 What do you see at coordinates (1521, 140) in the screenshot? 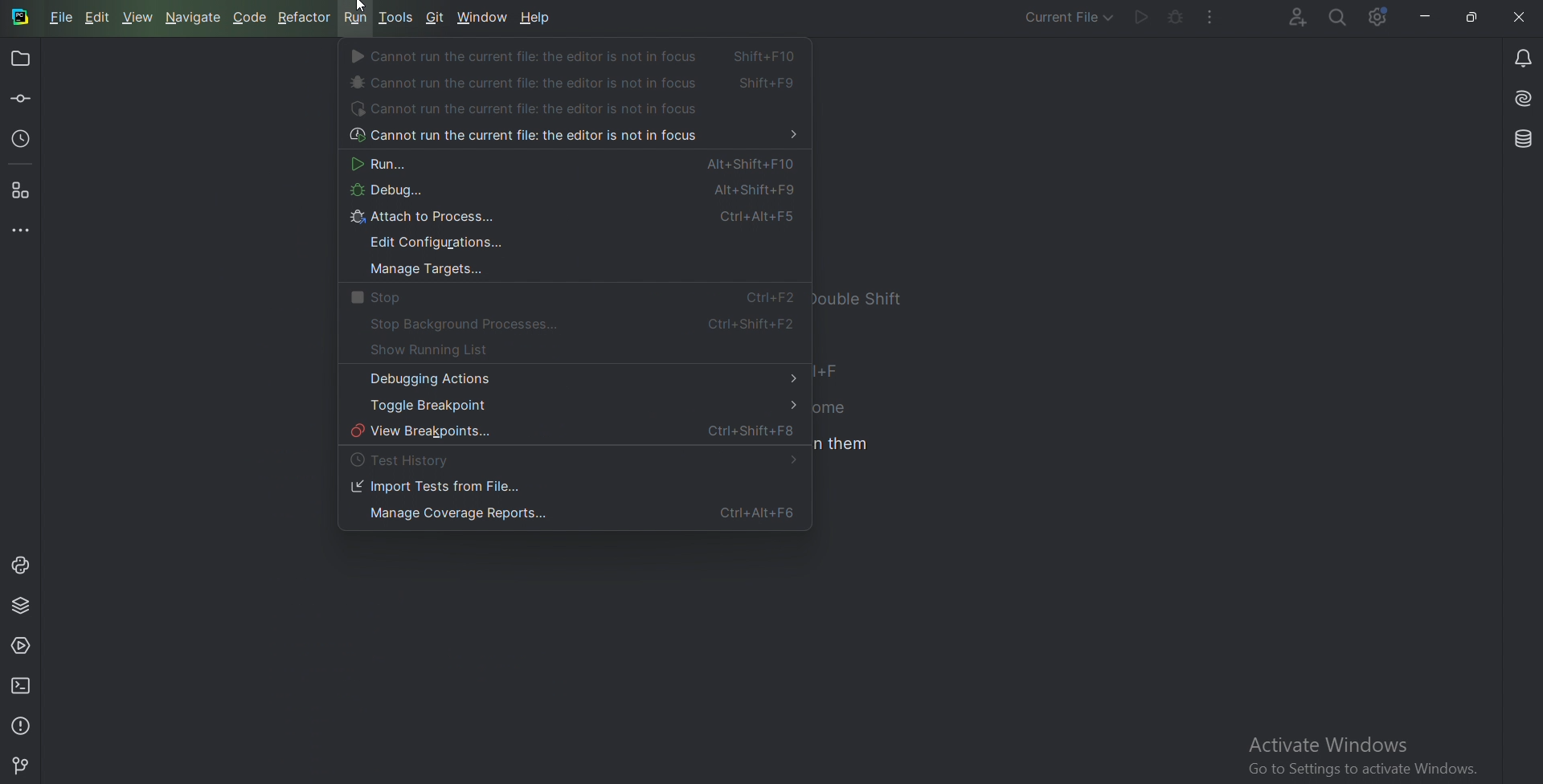
I see `Database` at bounding box center [1521, 140].